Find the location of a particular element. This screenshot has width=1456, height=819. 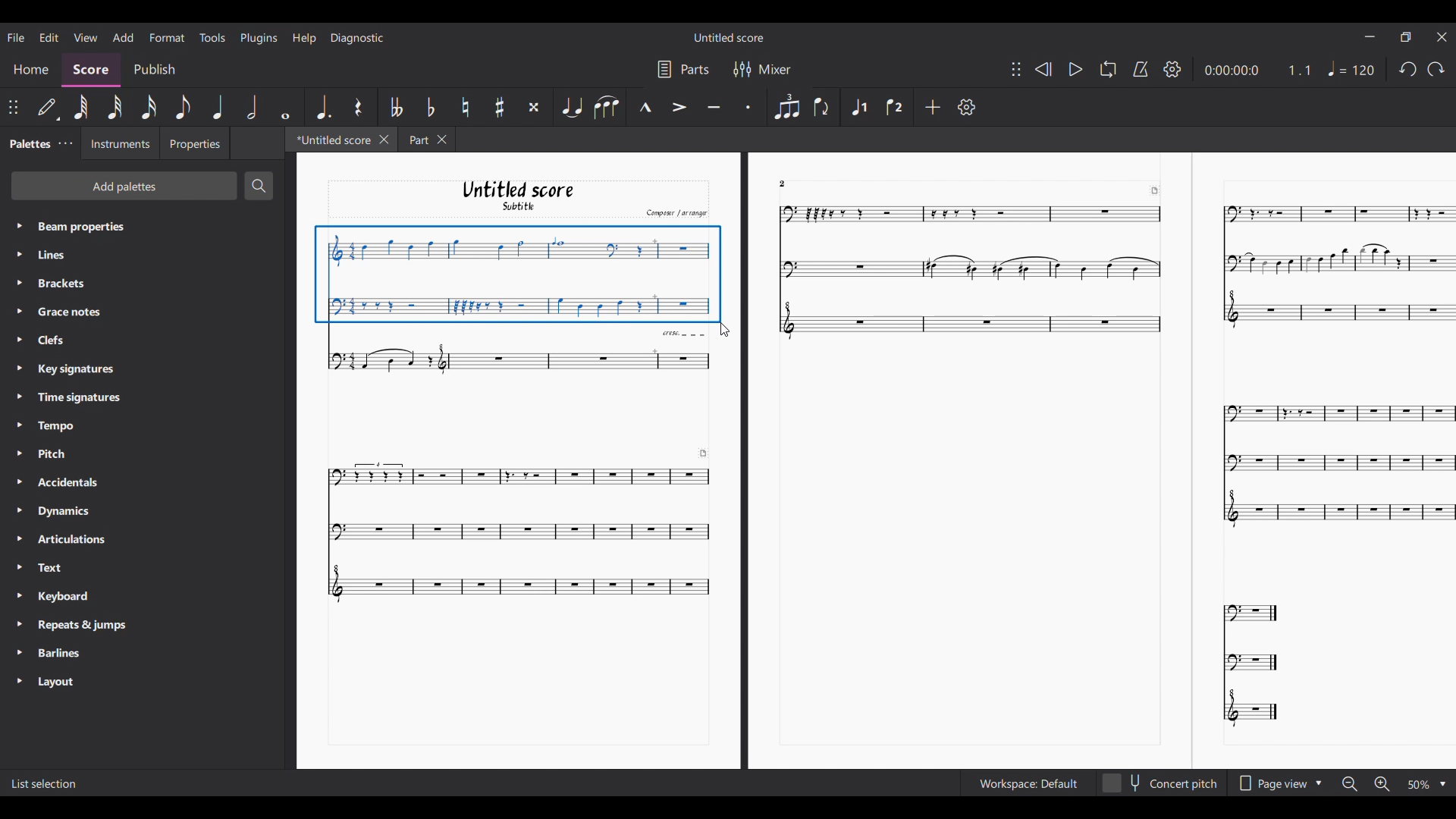

Zoom in is located at coordinates (1381, 784).